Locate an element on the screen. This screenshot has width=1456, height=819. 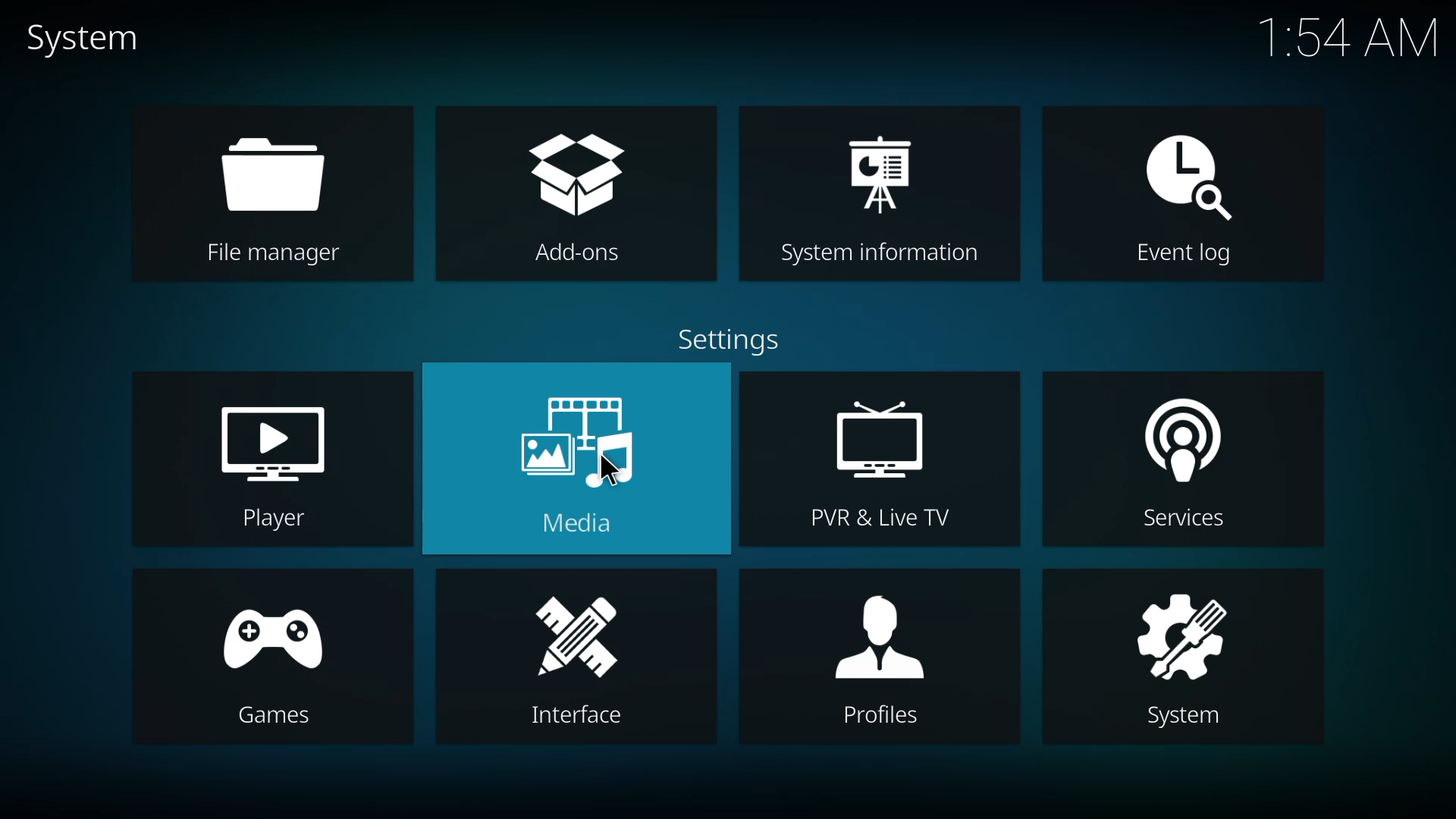
settings is located at coordinates (730, 342).